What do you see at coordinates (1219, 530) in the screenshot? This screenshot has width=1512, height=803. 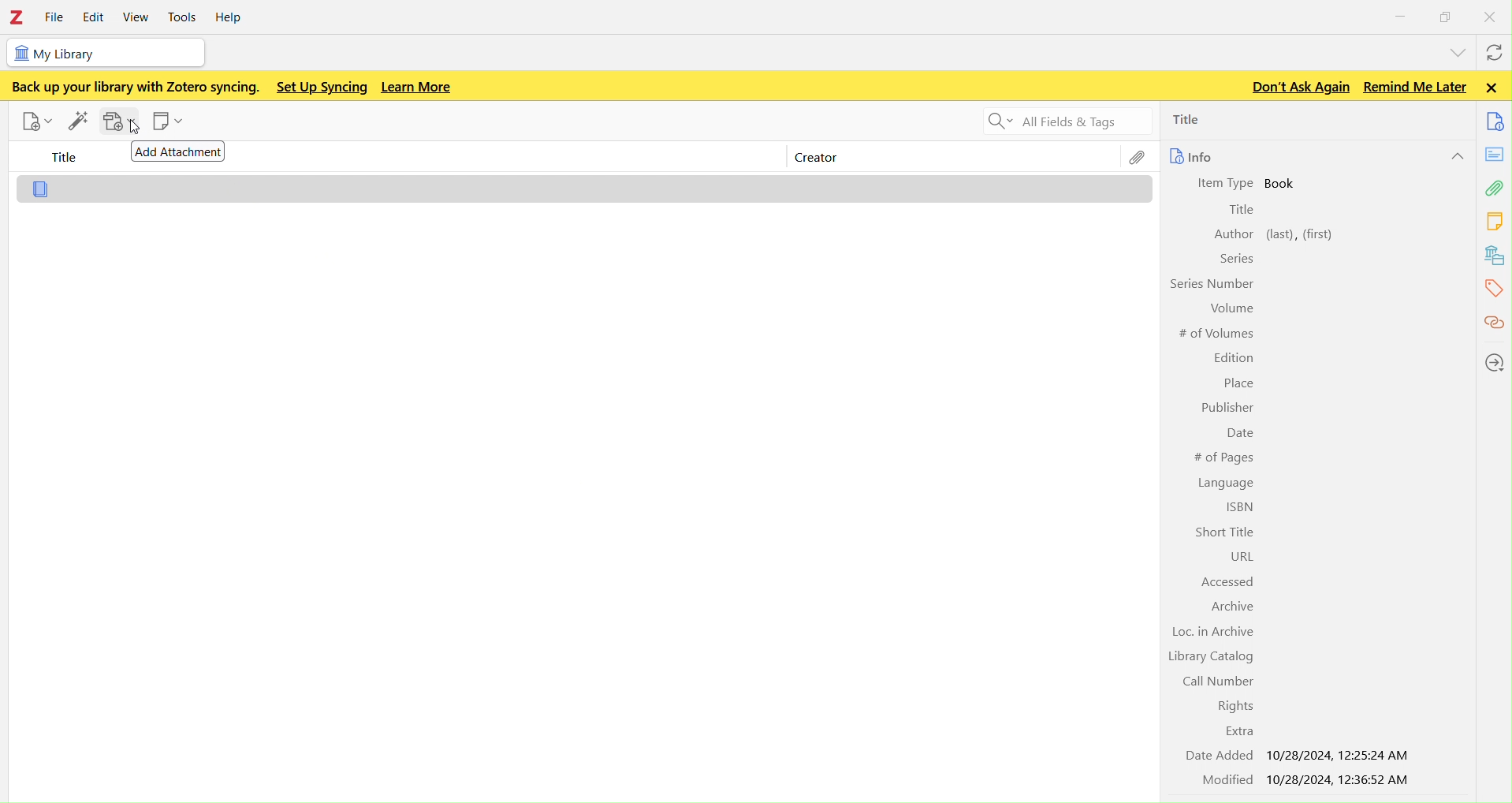 I see `Short Title` at bounding box center [1219, 530].